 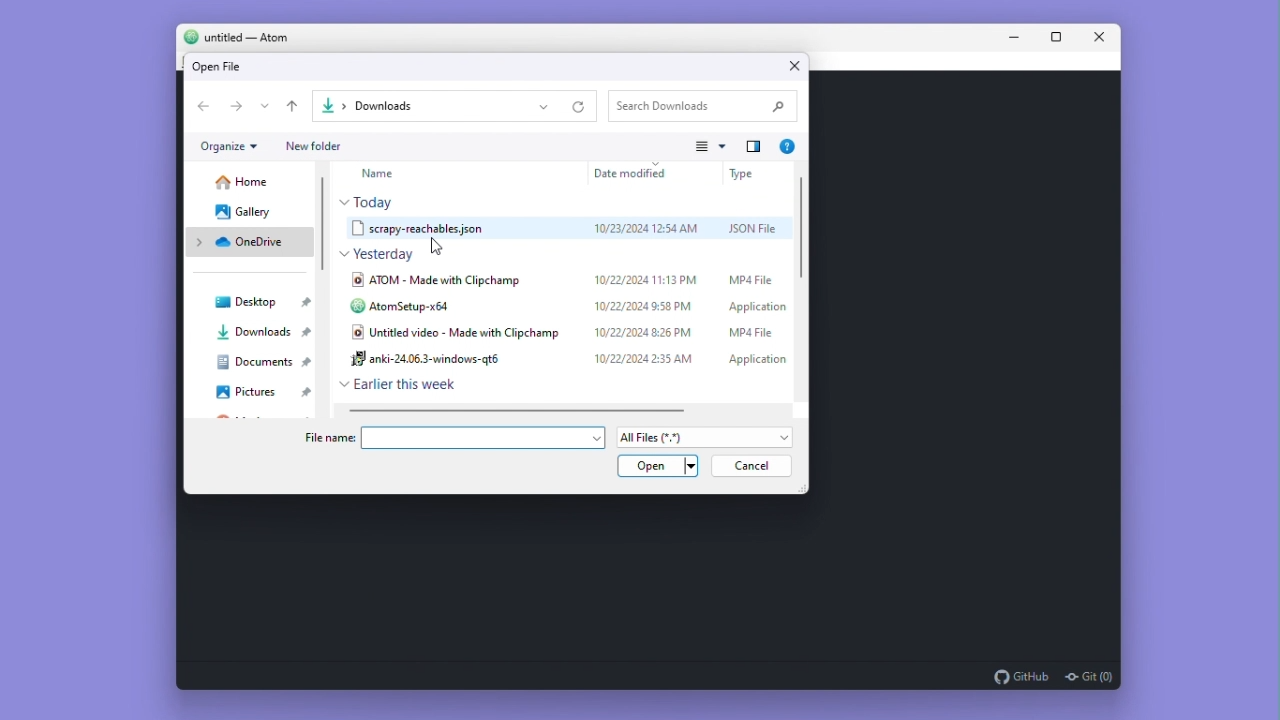 What do you see at coordinates (659, 465) in the screenshot?
I see `Open` at bounding box center [659, 465].